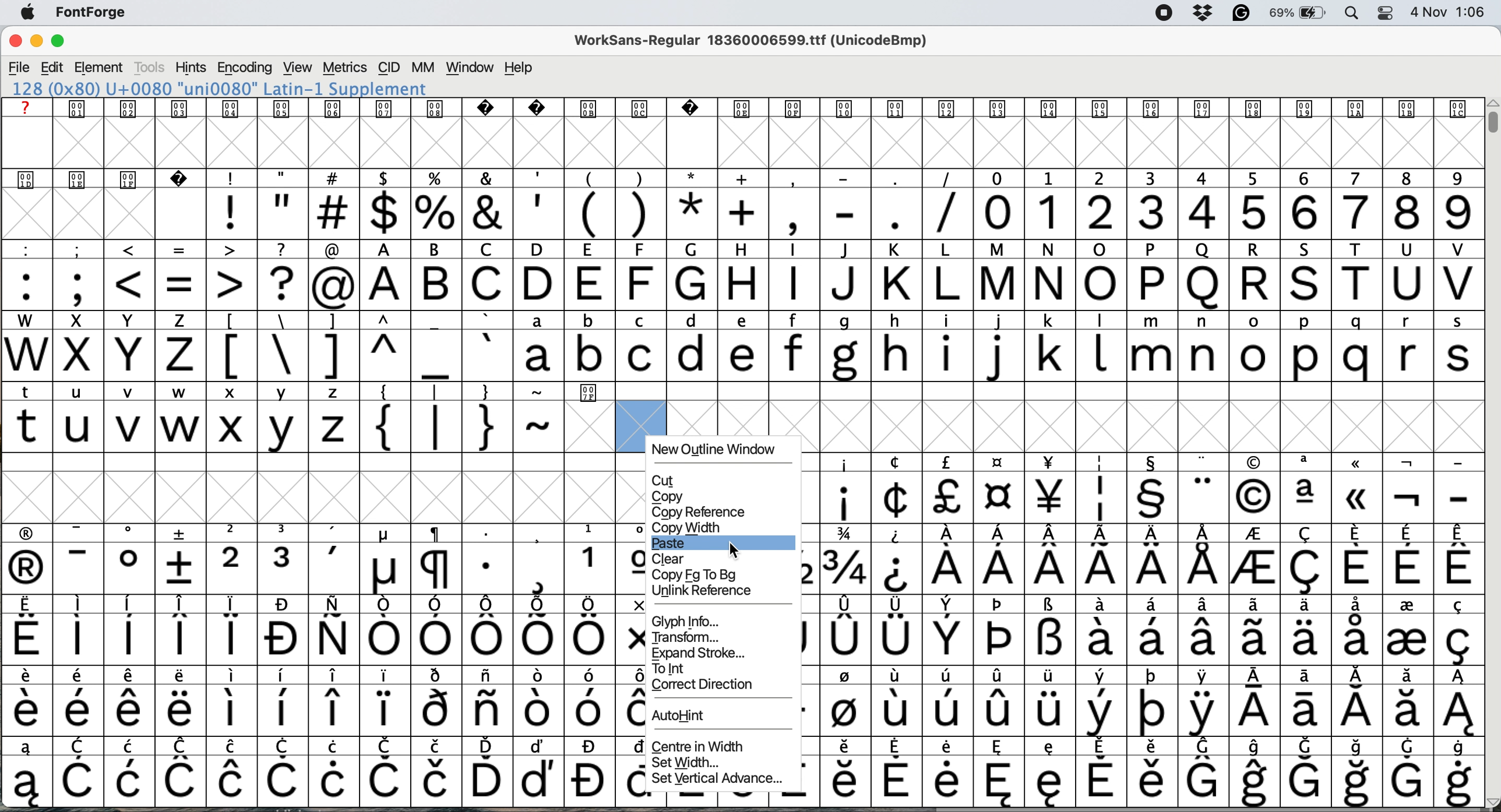 Image resolution: width=1501 pixels, height=812 pixels. What do you see at coordinates (706, 687) in the screenshot?
I see `correct direction` at bounding box center [706, 687].